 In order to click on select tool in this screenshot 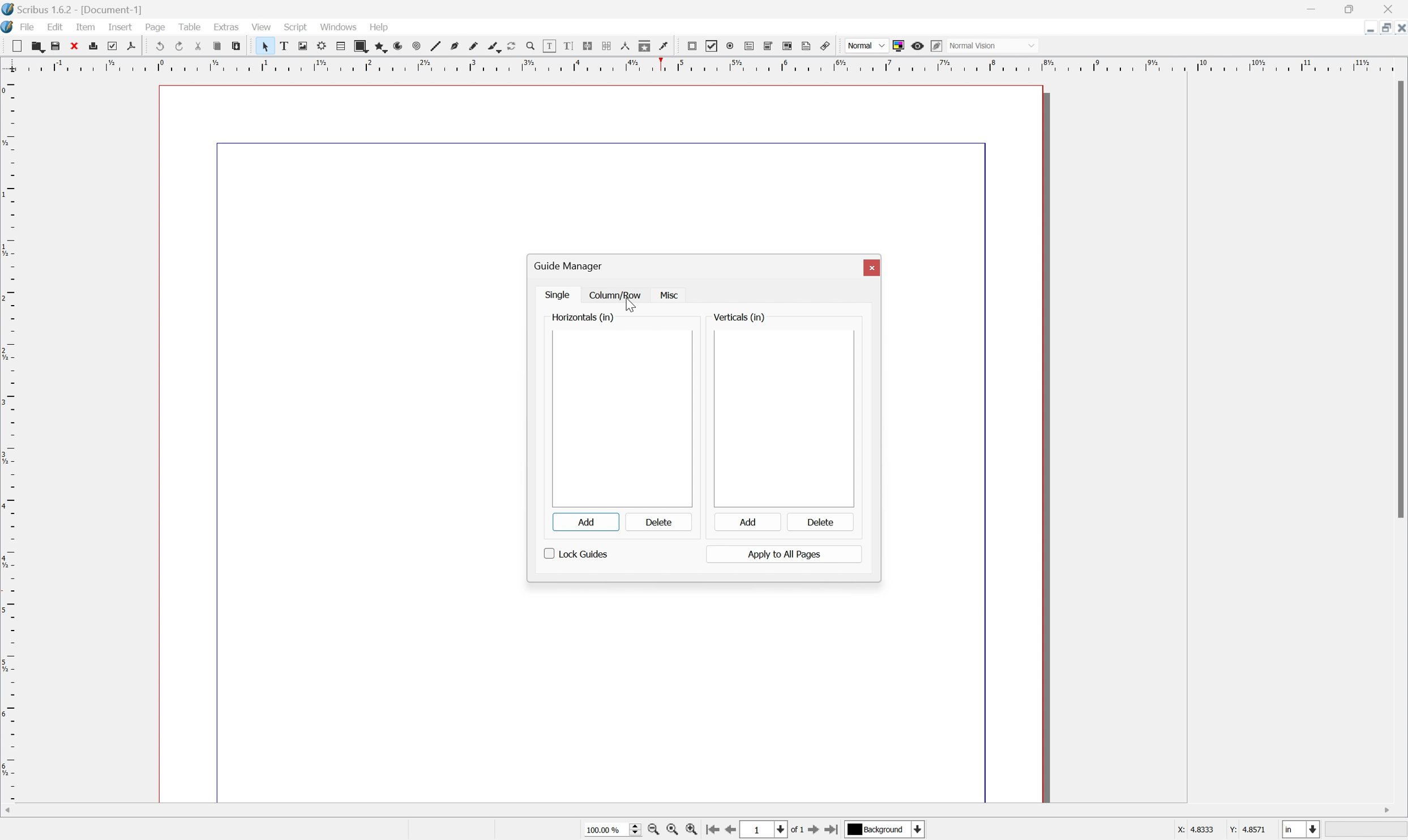, I will do `click(263, 46)`.